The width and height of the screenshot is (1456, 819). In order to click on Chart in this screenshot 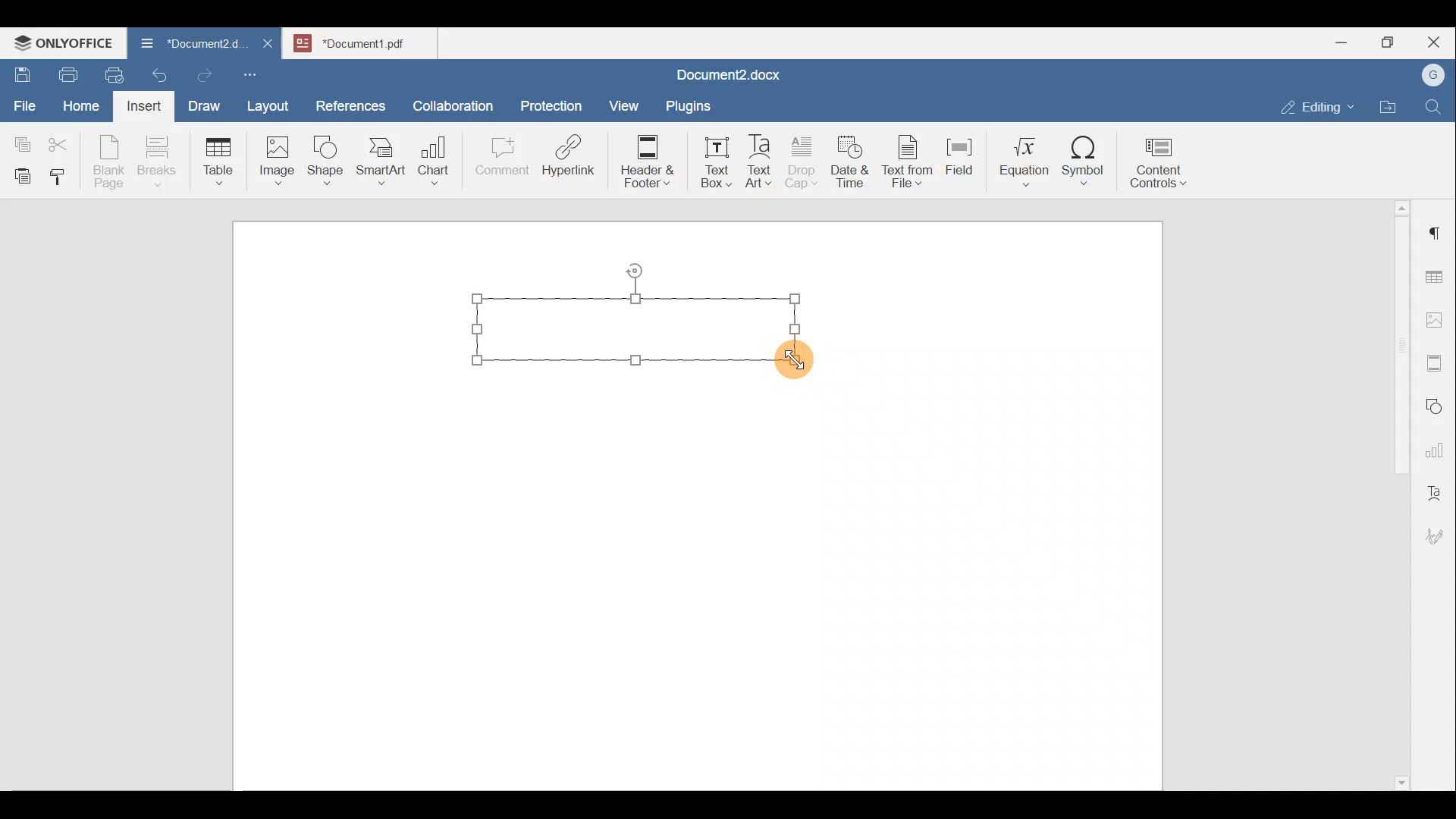, I will do `click(431, 162)`.